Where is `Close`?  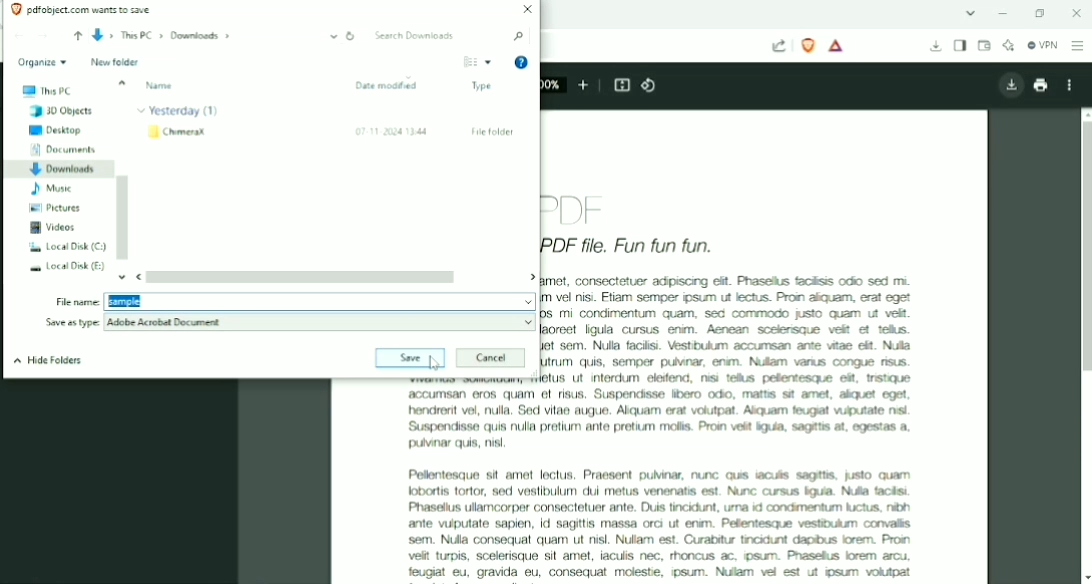
Close is located at coordinates (1074, 13).